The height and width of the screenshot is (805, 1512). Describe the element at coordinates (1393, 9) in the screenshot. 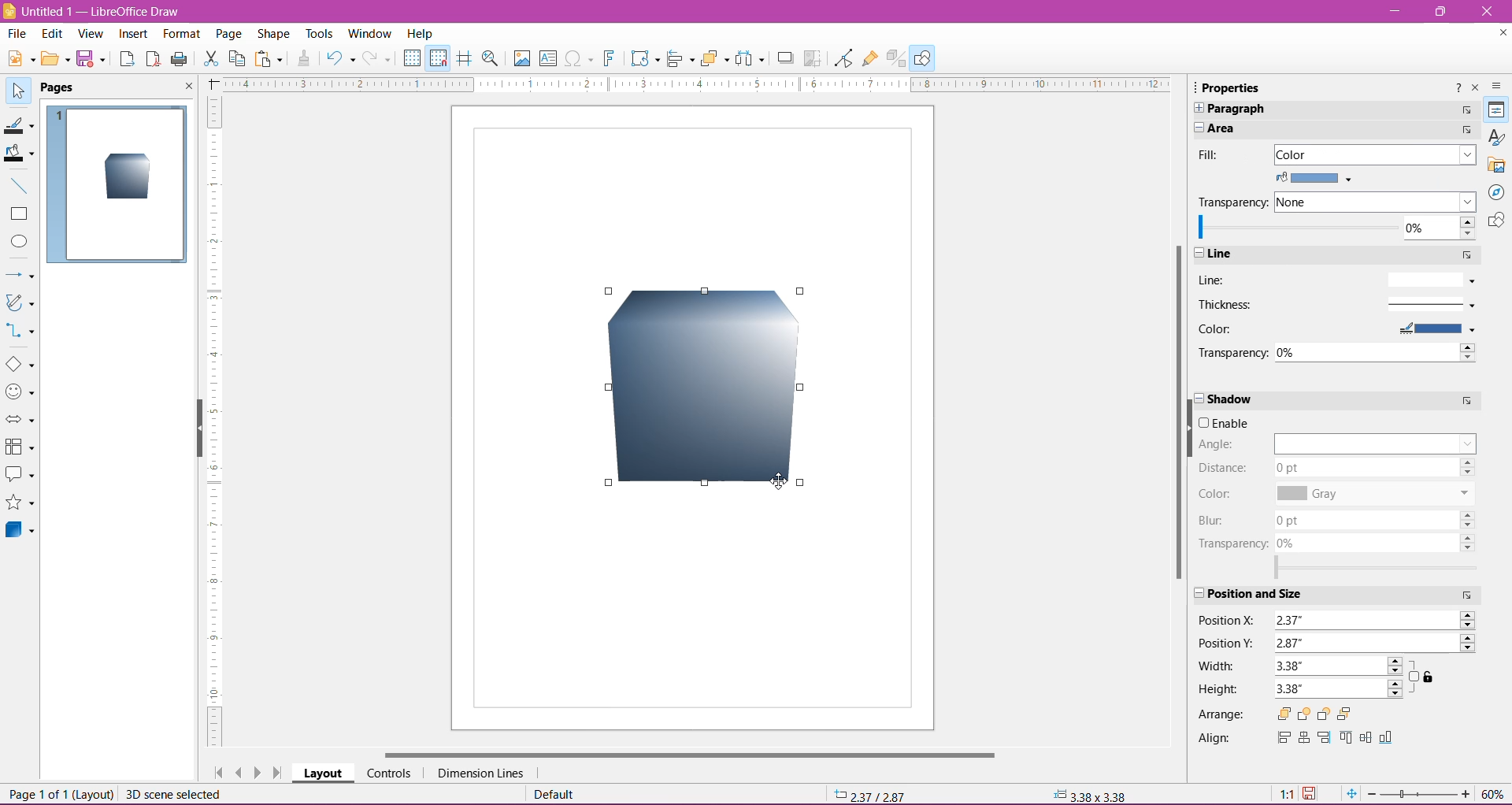

I see `Minimize` at that location.